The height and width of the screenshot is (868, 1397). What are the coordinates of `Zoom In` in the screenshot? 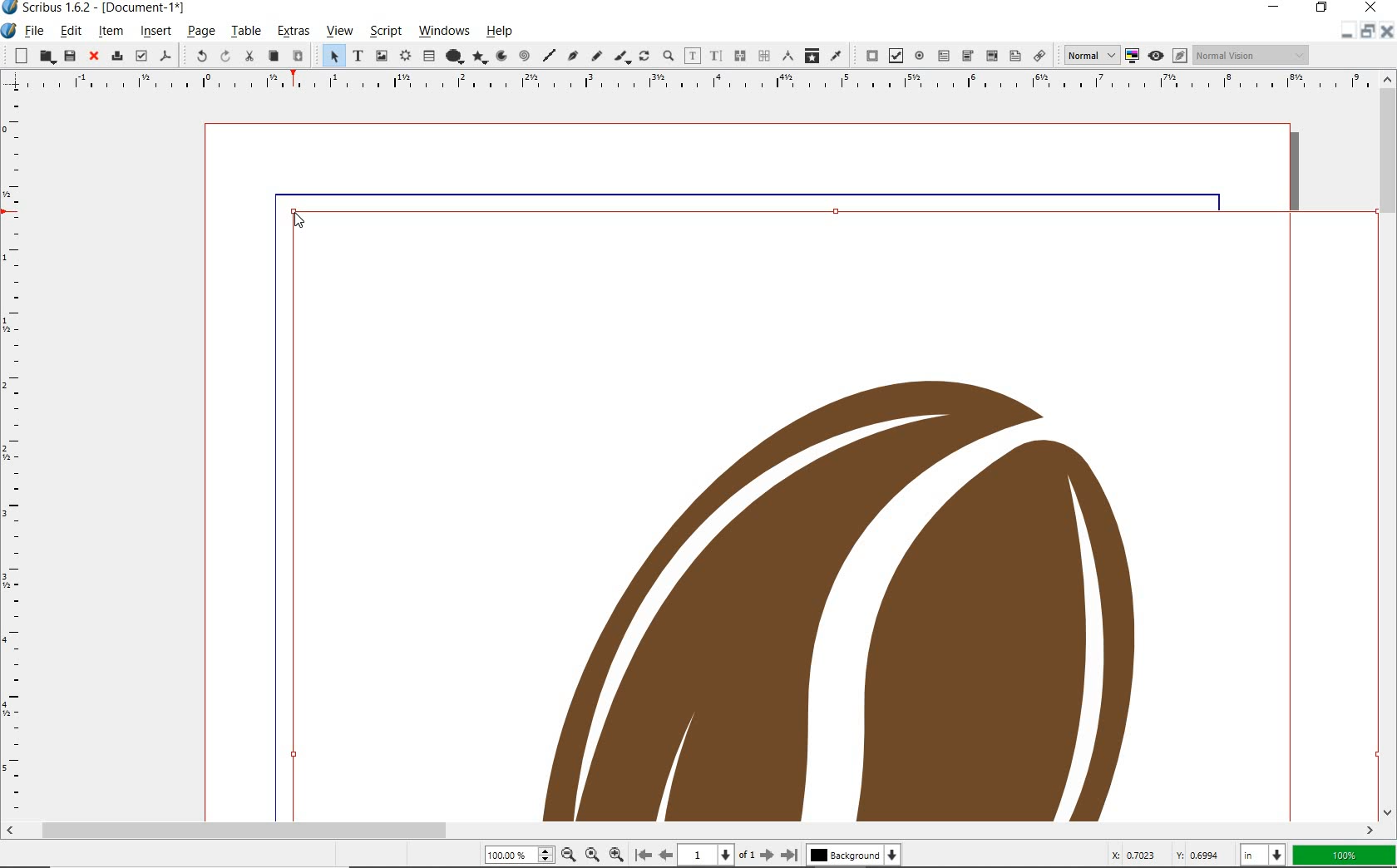 It's located at (616, 856).